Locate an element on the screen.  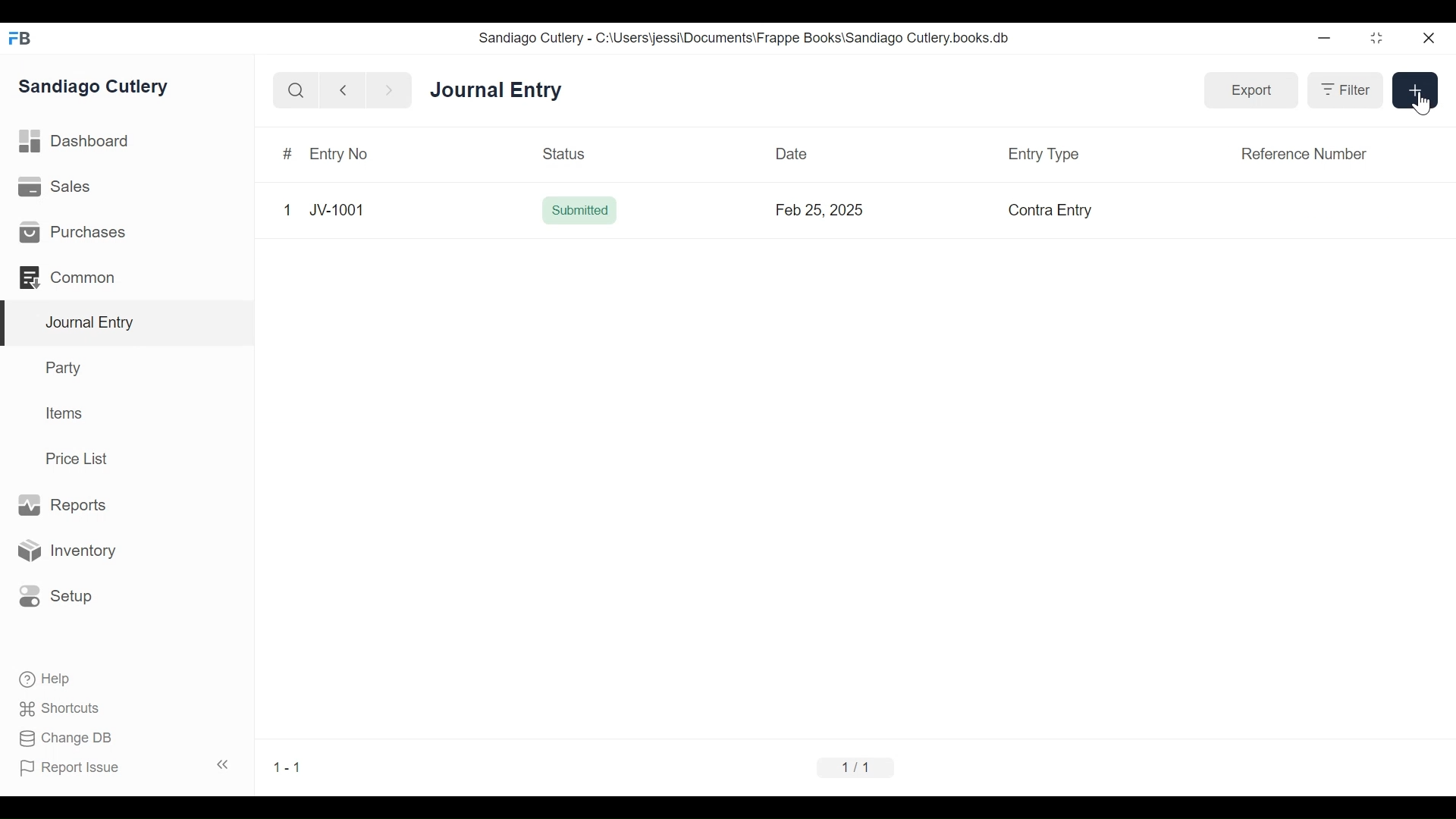
Cursor is located at coordinates (1420, 102).